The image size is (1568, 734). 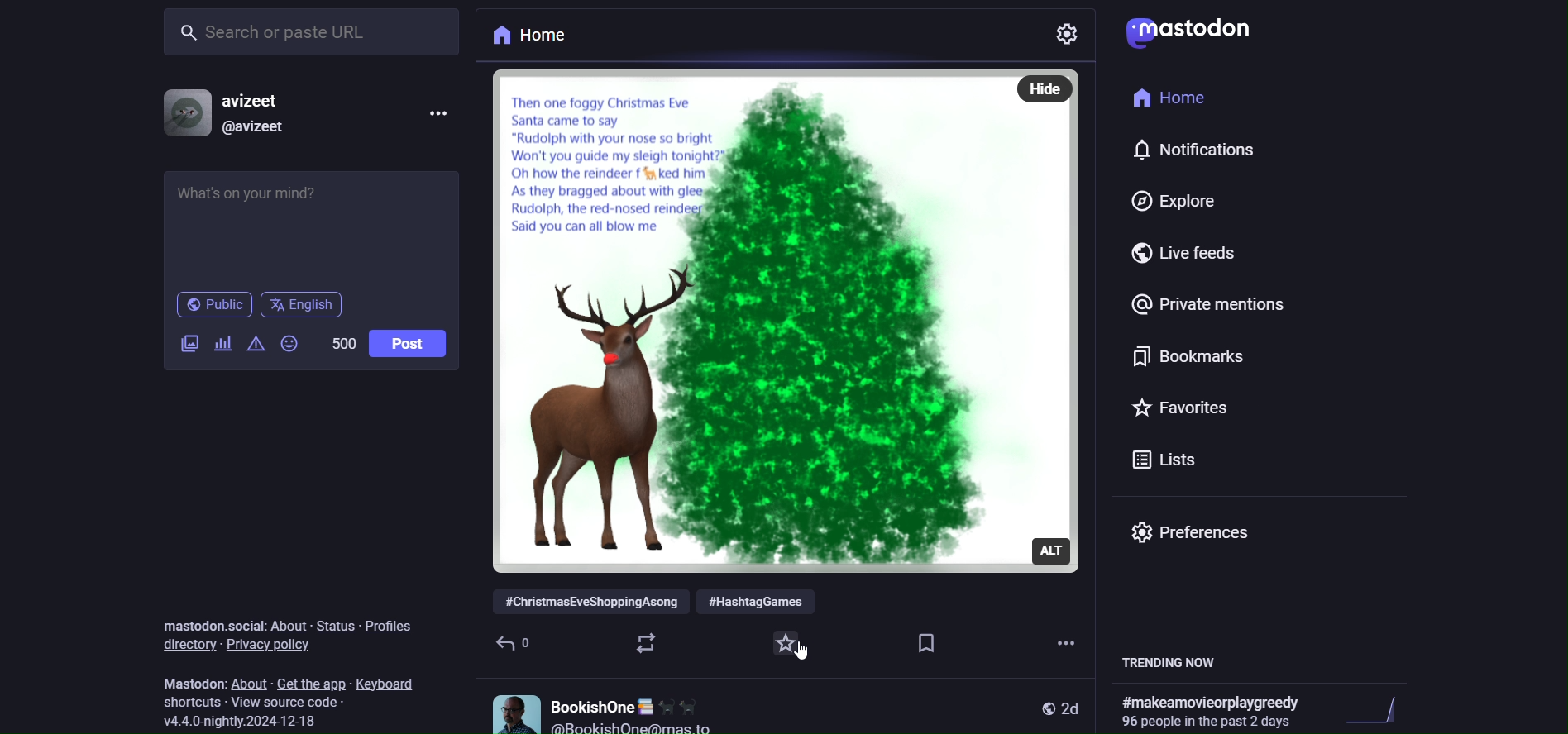 What do you see at coordinates (1174, 254) in the screenshot?
I see `live feed` at bounding box center [1174, 254].